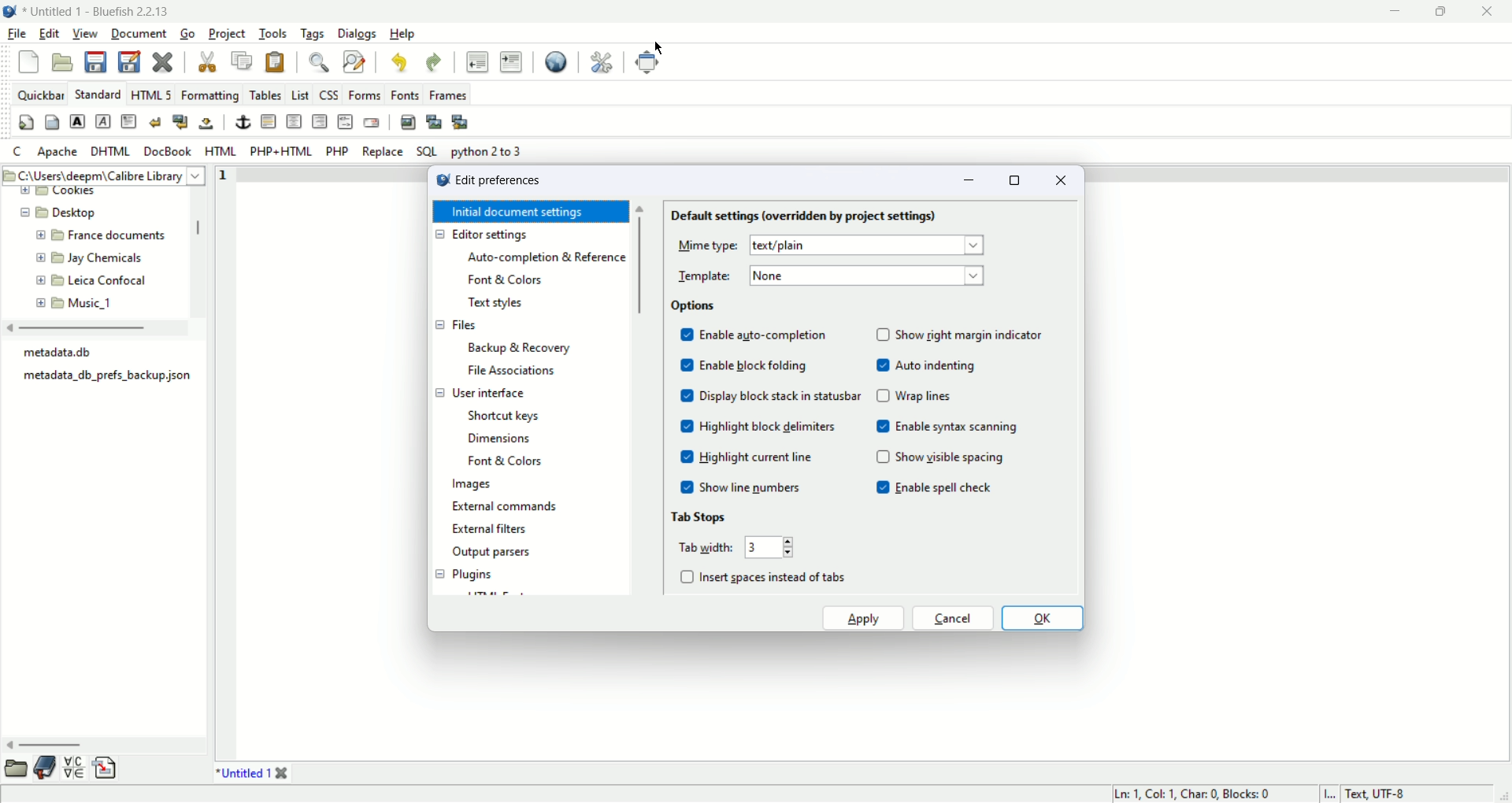 This screenshot has height=803, width=1512. What do you see at coordinates (687, 576) in the screenshot?
I see `check list` at bounding box center [687, 576].